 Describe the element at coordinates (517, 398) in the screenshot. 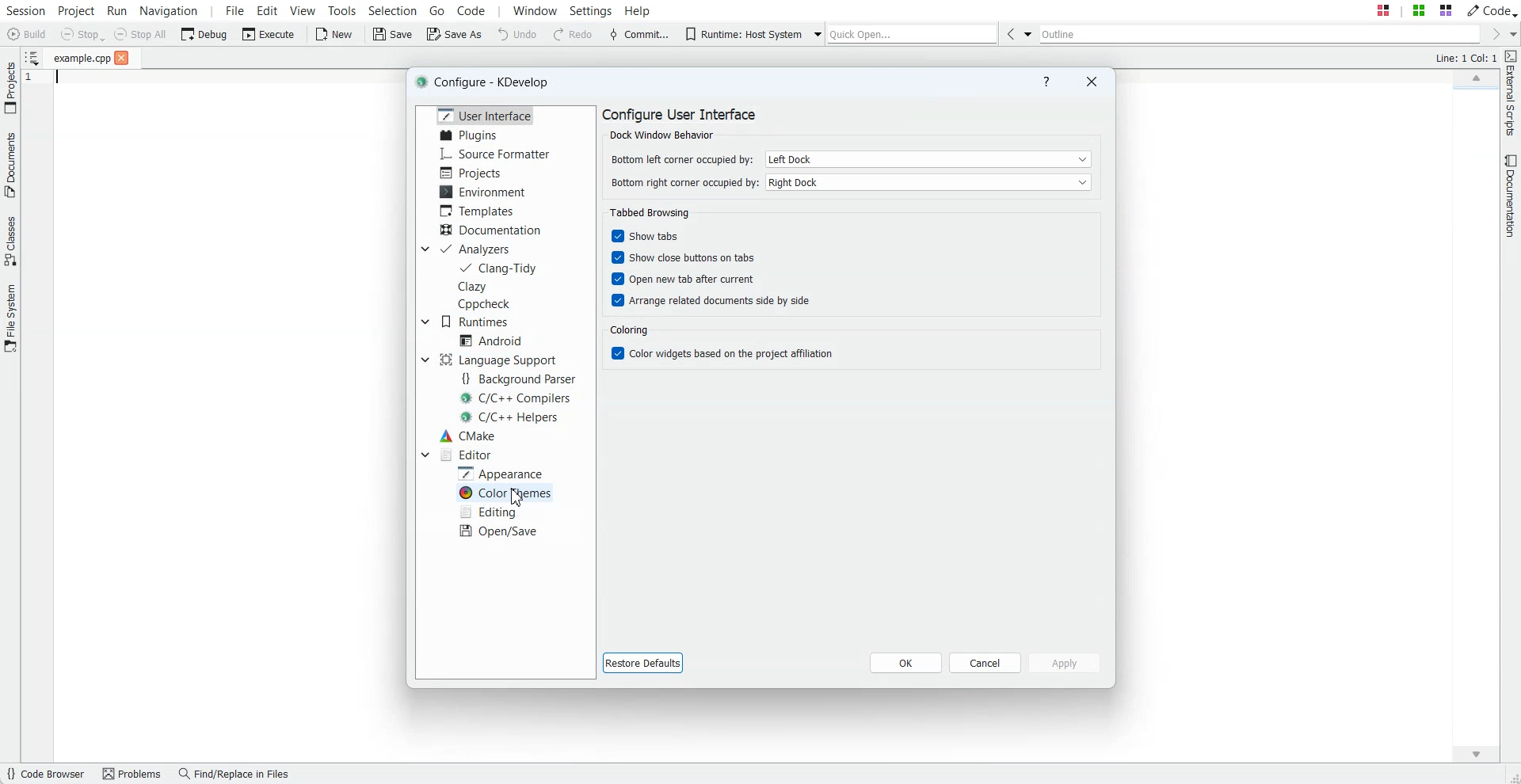

I see `C/C++ Compilers` at that location.